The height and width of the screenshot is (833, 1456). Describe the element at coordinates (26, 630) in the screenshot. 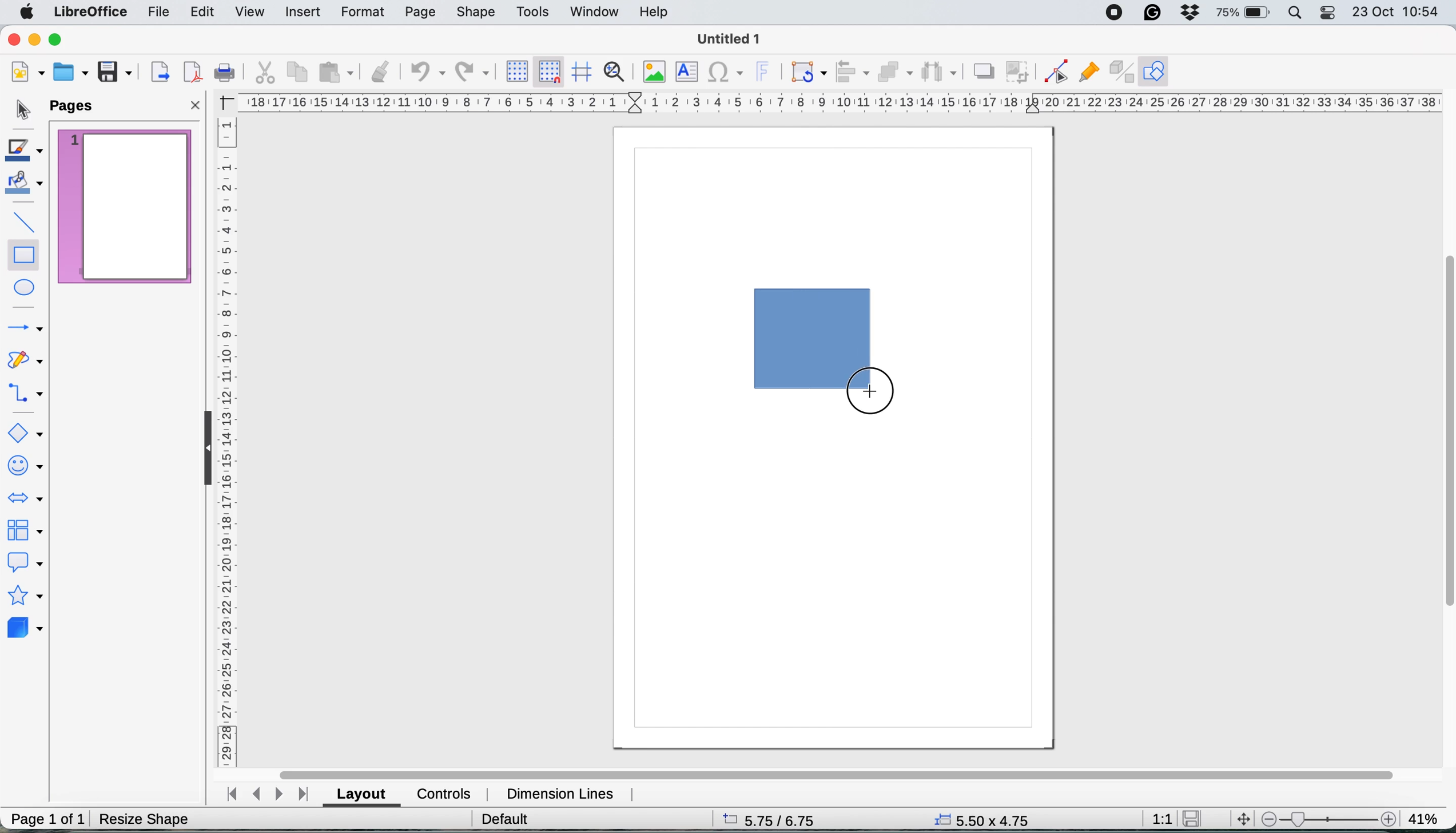

I see `3d objects` at that location.